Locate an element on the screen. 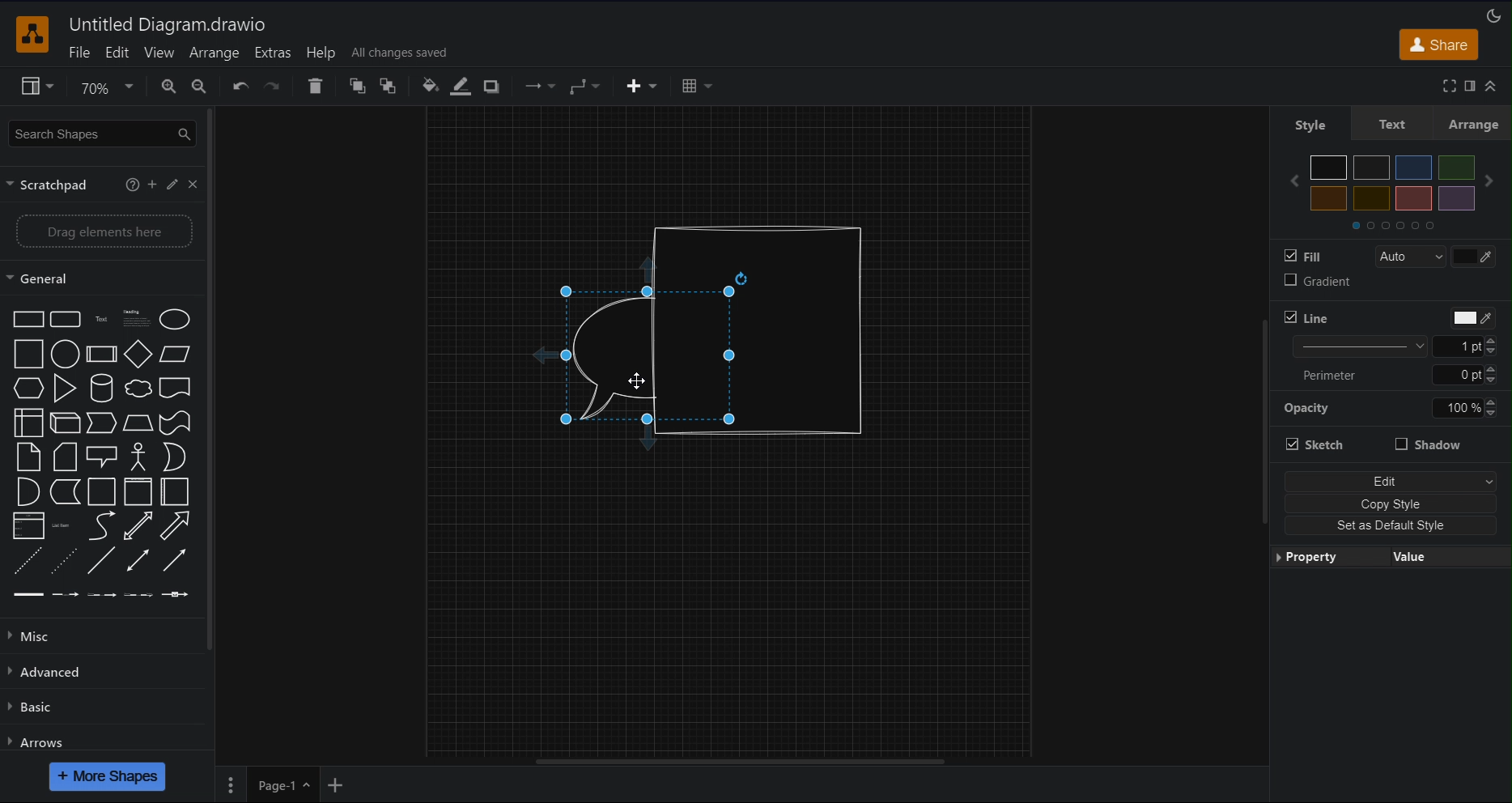  Directional connector is located at coordinates (174, 560).